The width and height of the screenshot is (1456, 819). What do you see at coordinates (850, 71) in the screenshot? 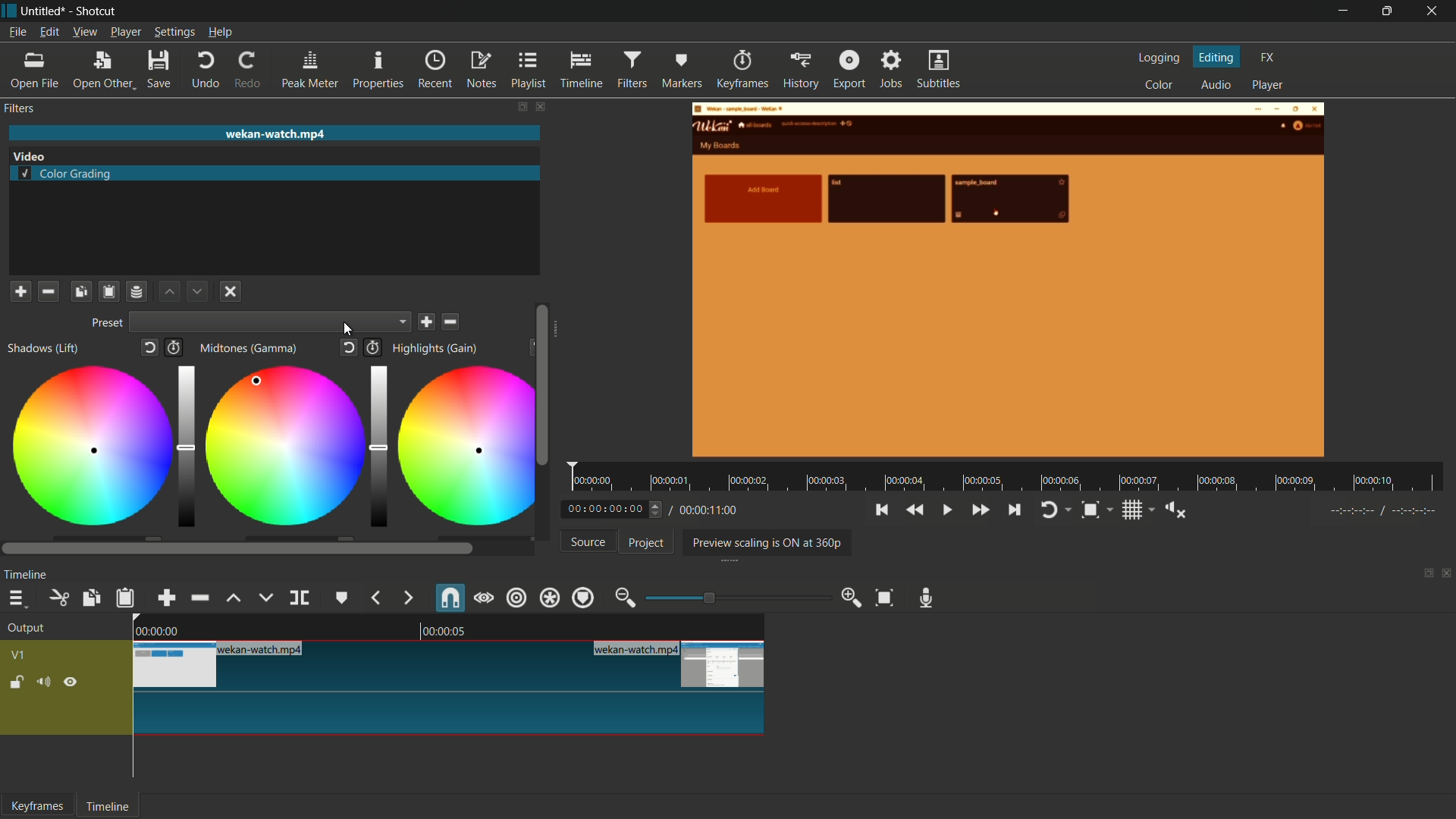
I see `export` at bounding box center [850, 71].